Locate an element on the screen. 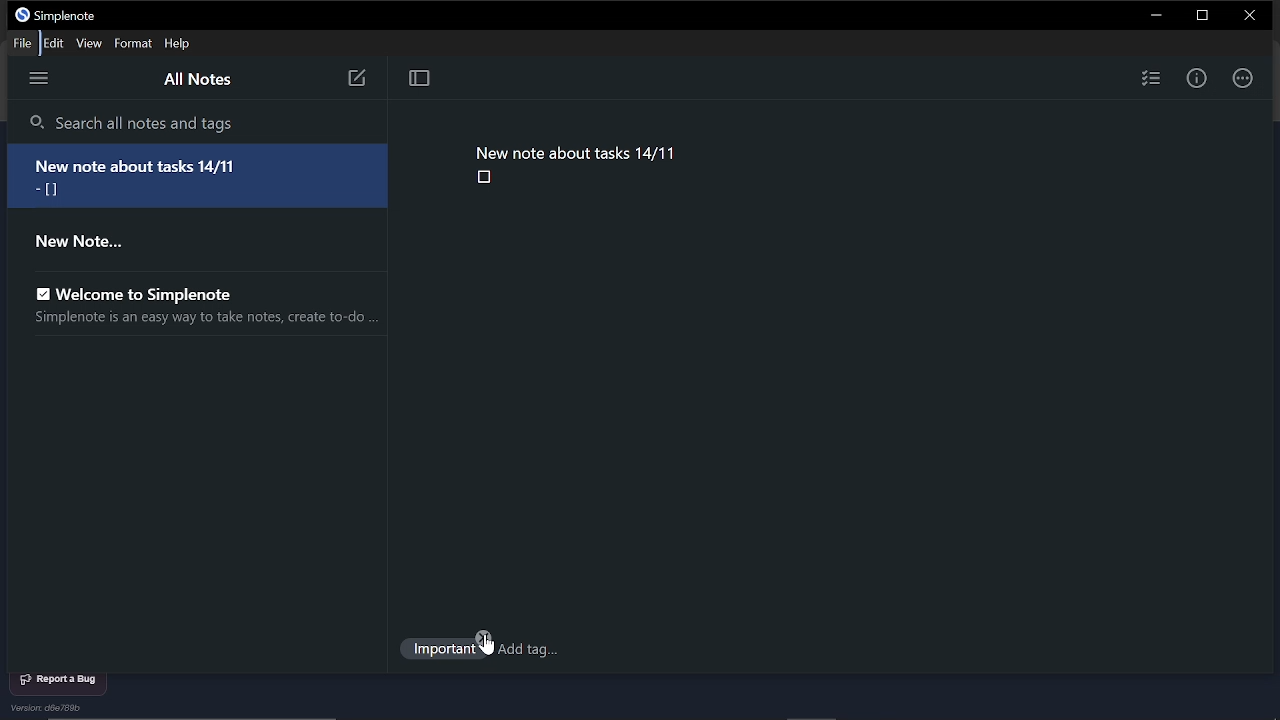  simplenote is located at coordinates (72, 16).